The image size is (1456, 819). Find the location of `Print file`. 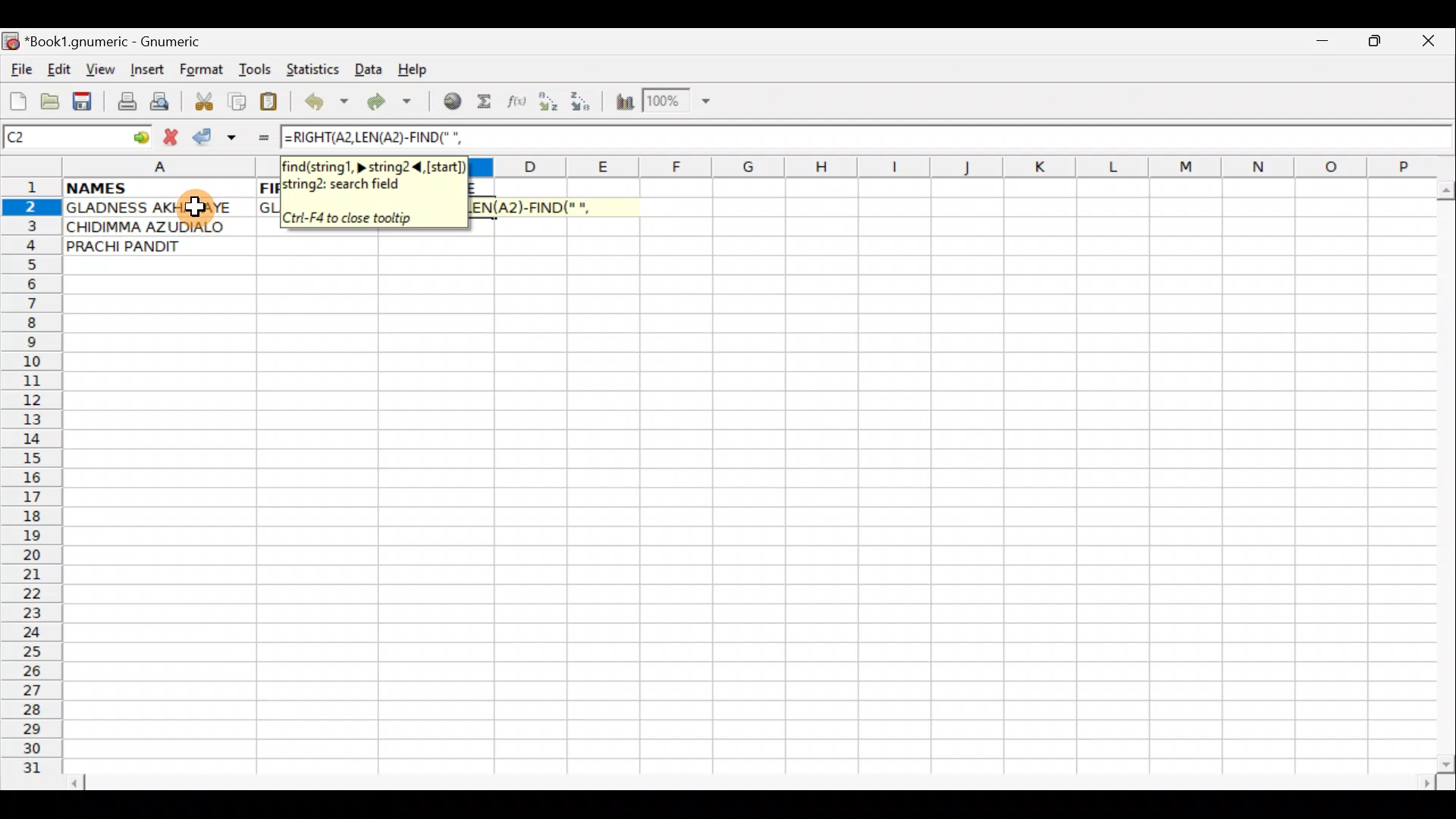

Print file is located at coordinates (123, 103).